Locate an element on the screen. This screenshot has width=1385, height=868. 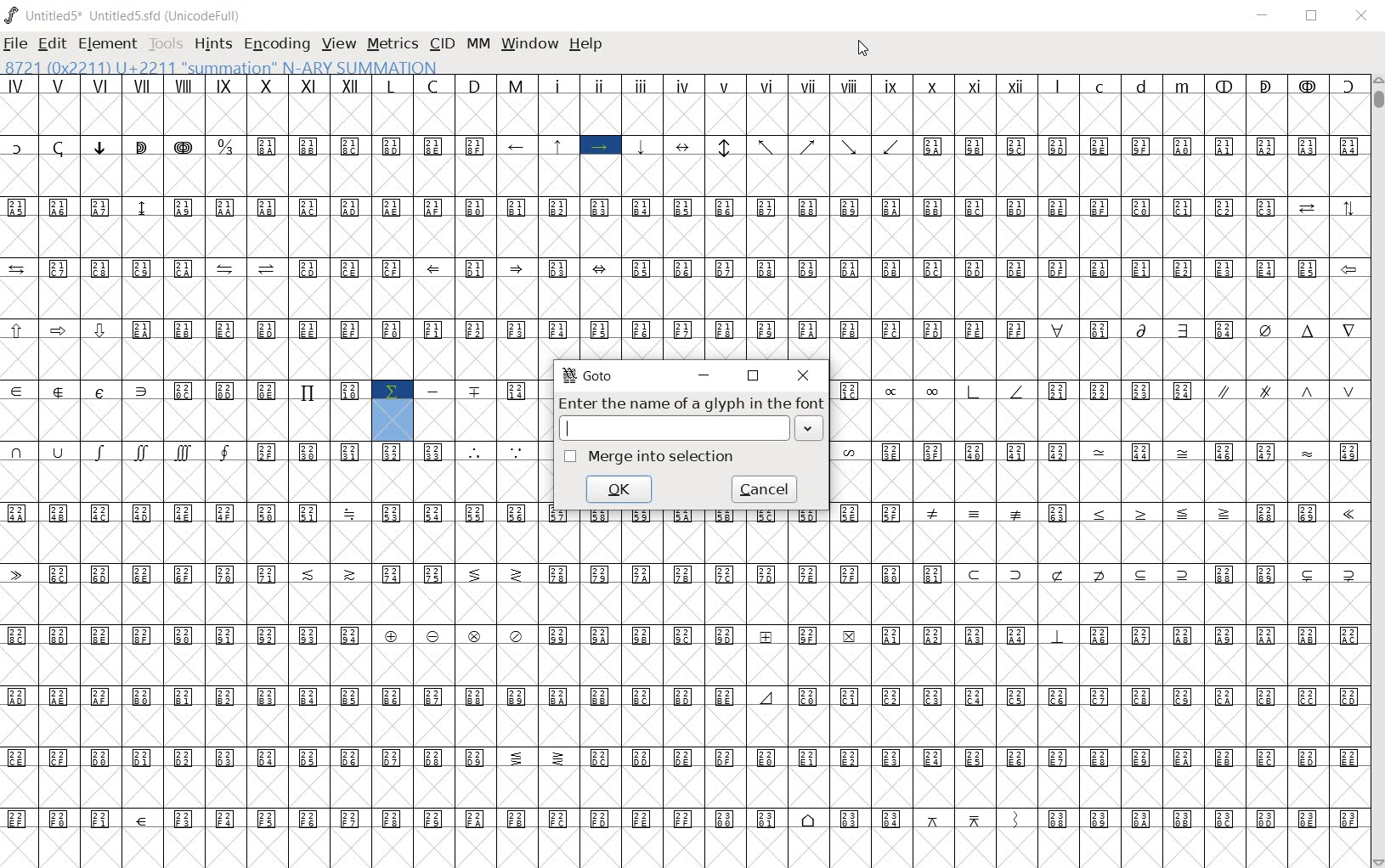
METRICS is located at coordinates (394, 45).